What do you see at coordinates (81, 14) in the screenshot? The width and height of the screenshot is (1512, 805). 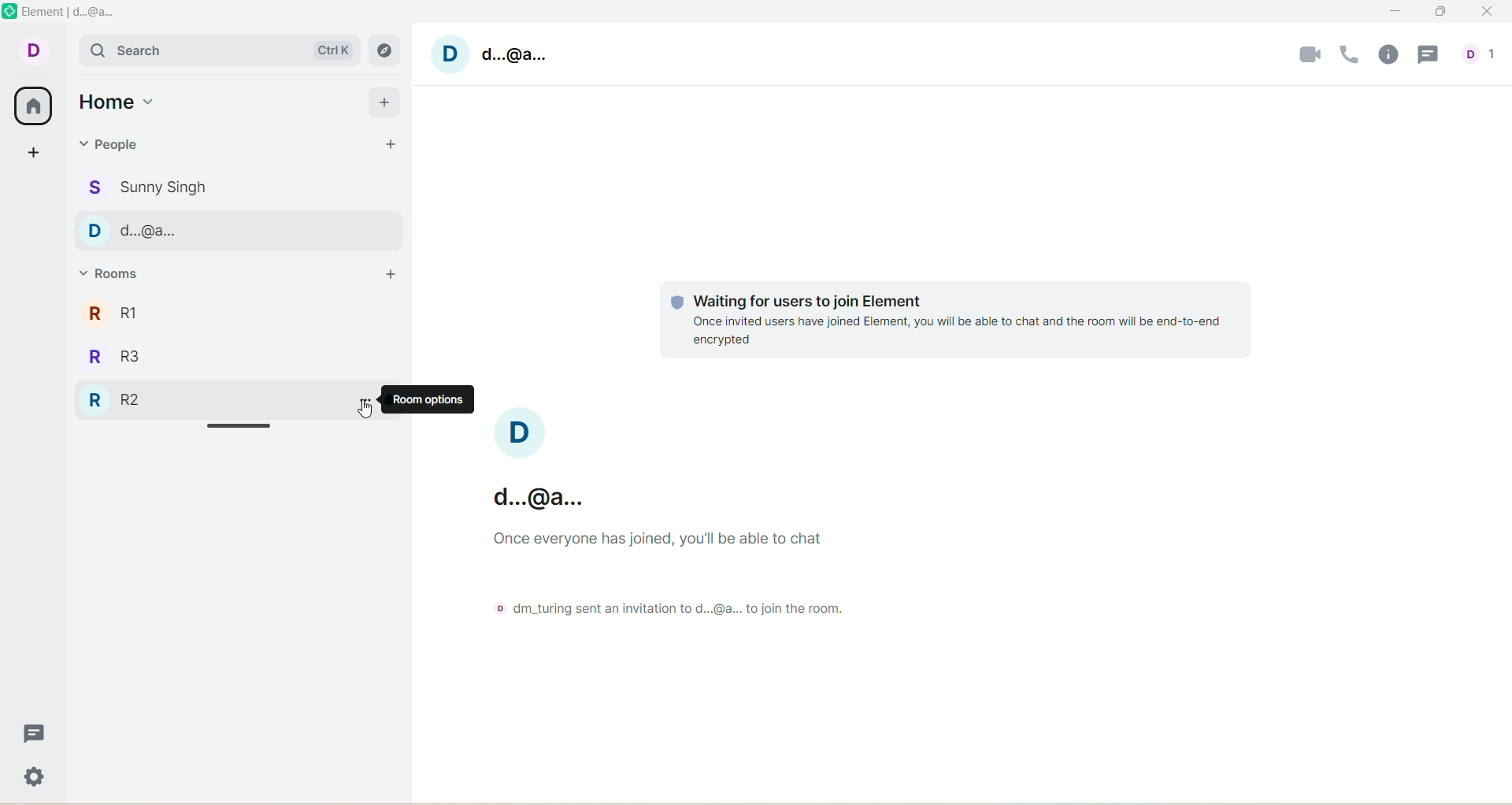 I see `element` at bounding box center [81, 14].